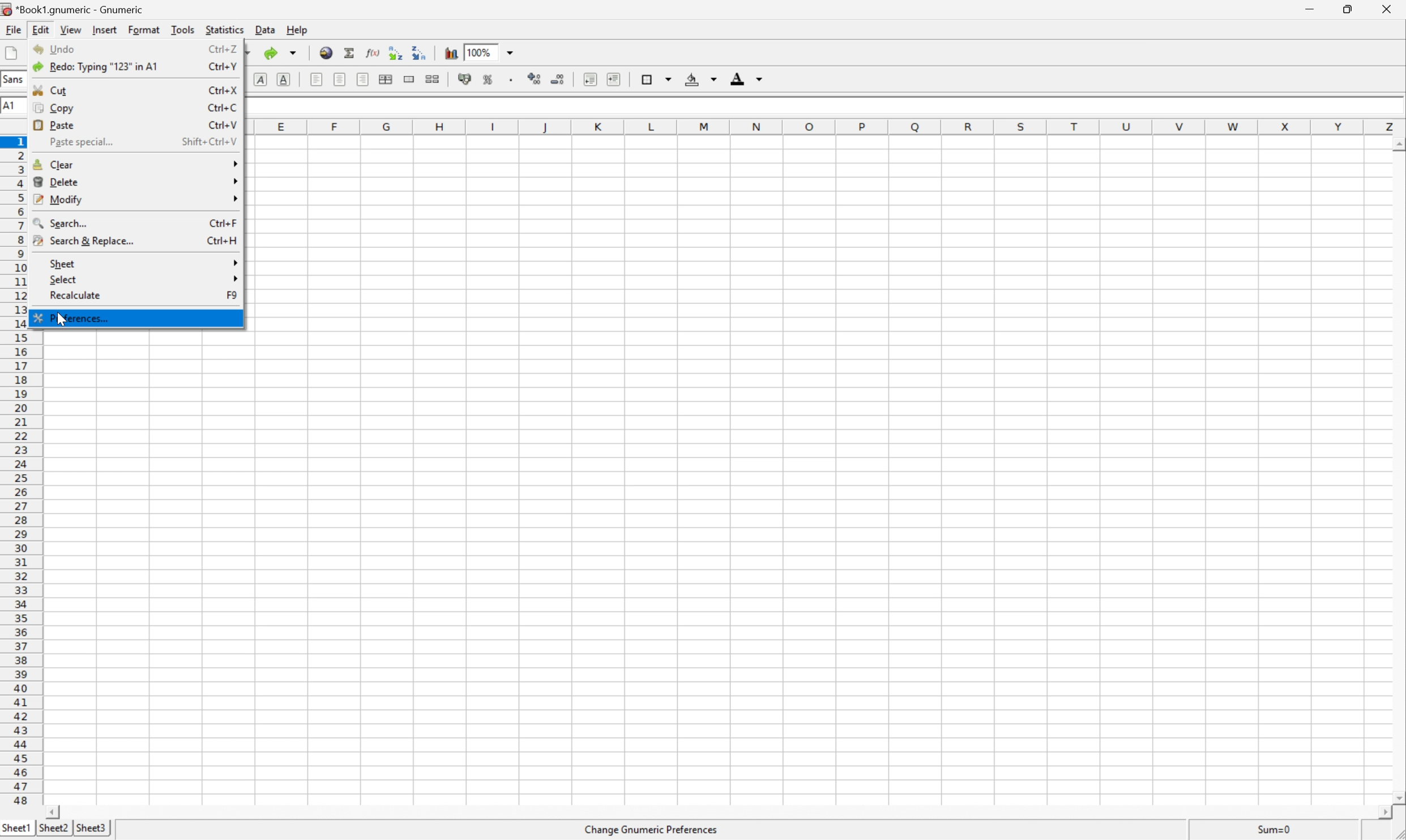 The image size is (1406, 840). Describe the element at coordinates (419, 52) in the screenshot. I see `Sort the selected region in descending order based on the first column selected` at that location.